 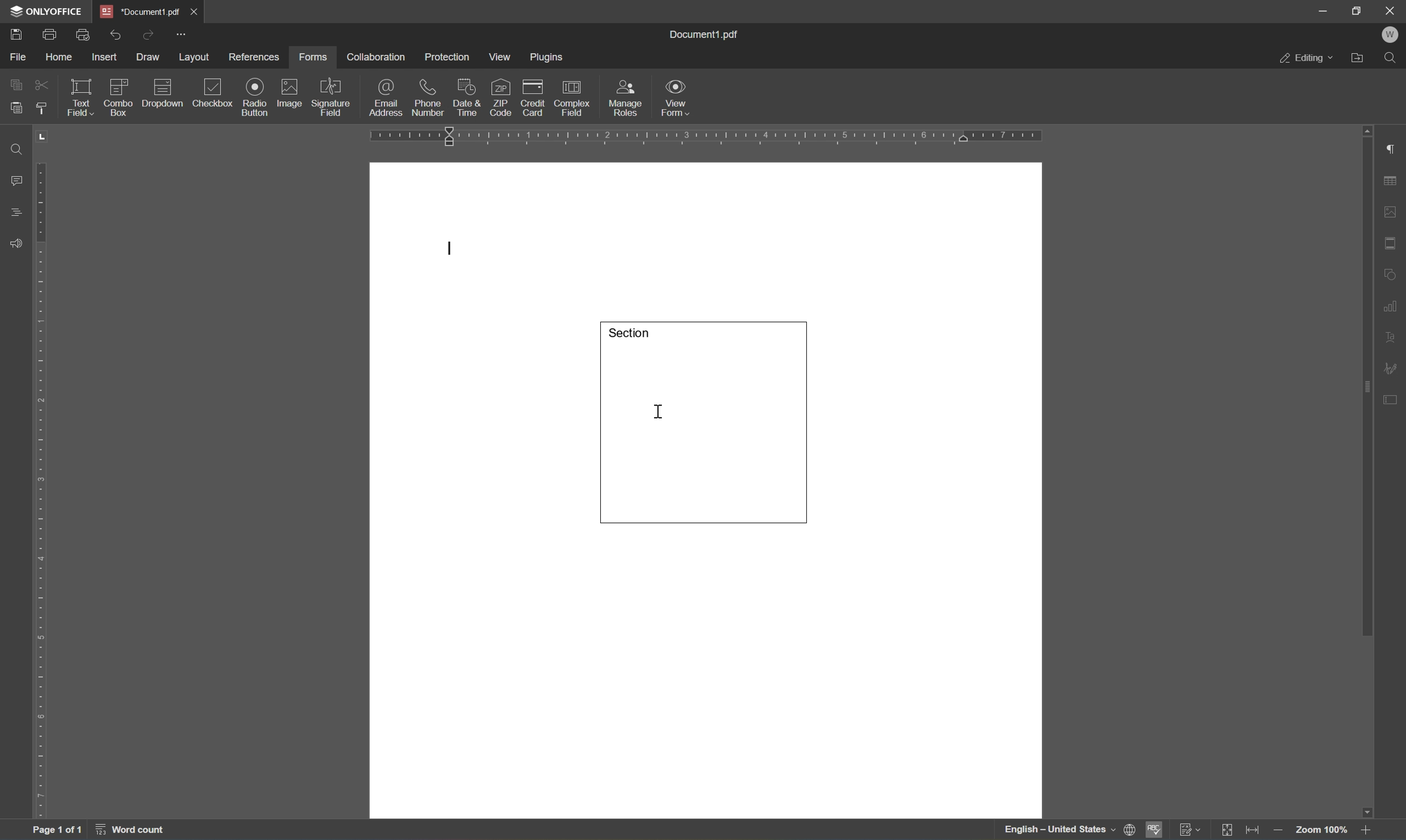 What do you see at coordinates (663, 414) in the screenshot?
I see `Text cursor` at bounding box center [663, 414].